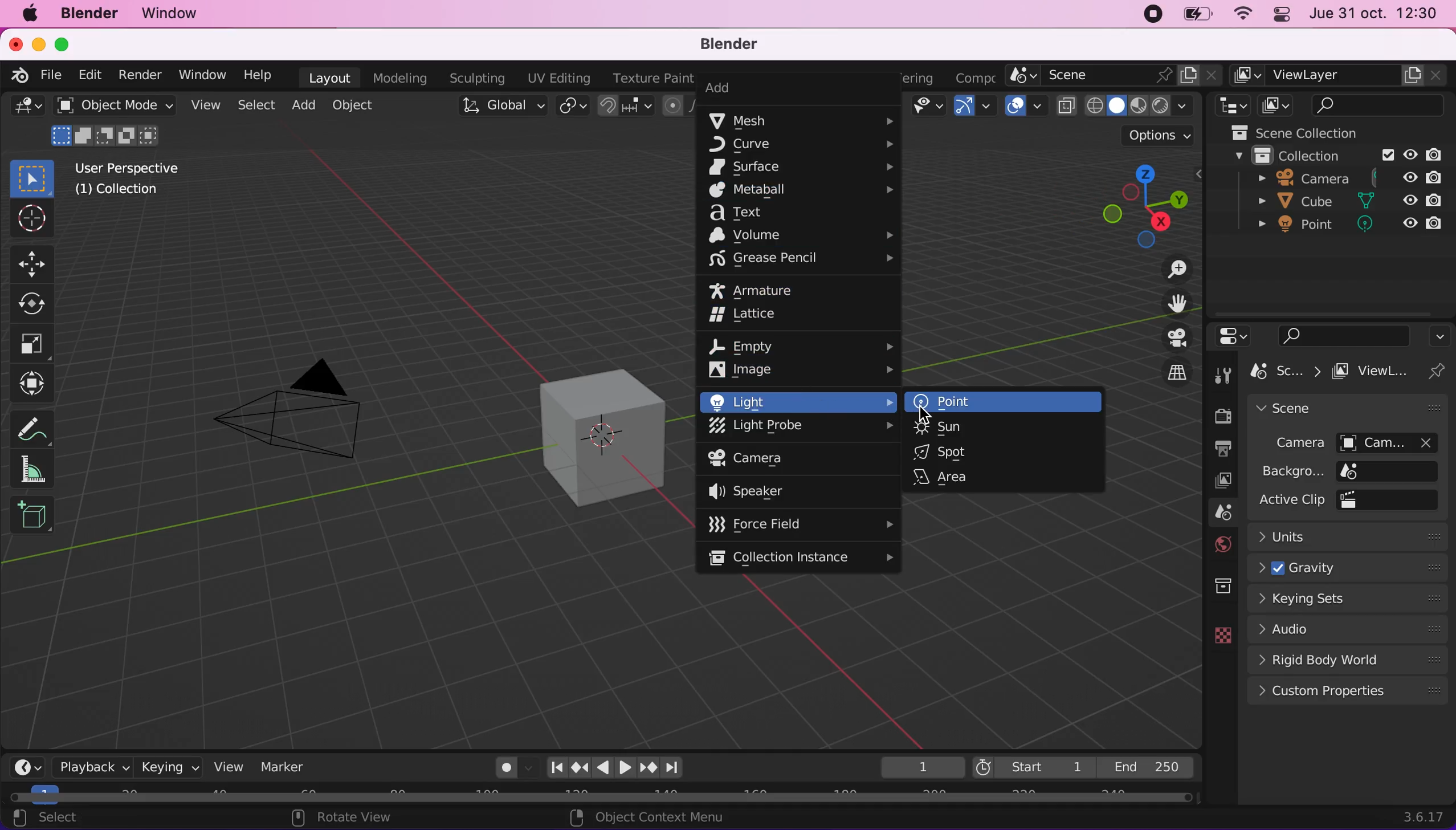  I want to click on select box, so click(37, 176).